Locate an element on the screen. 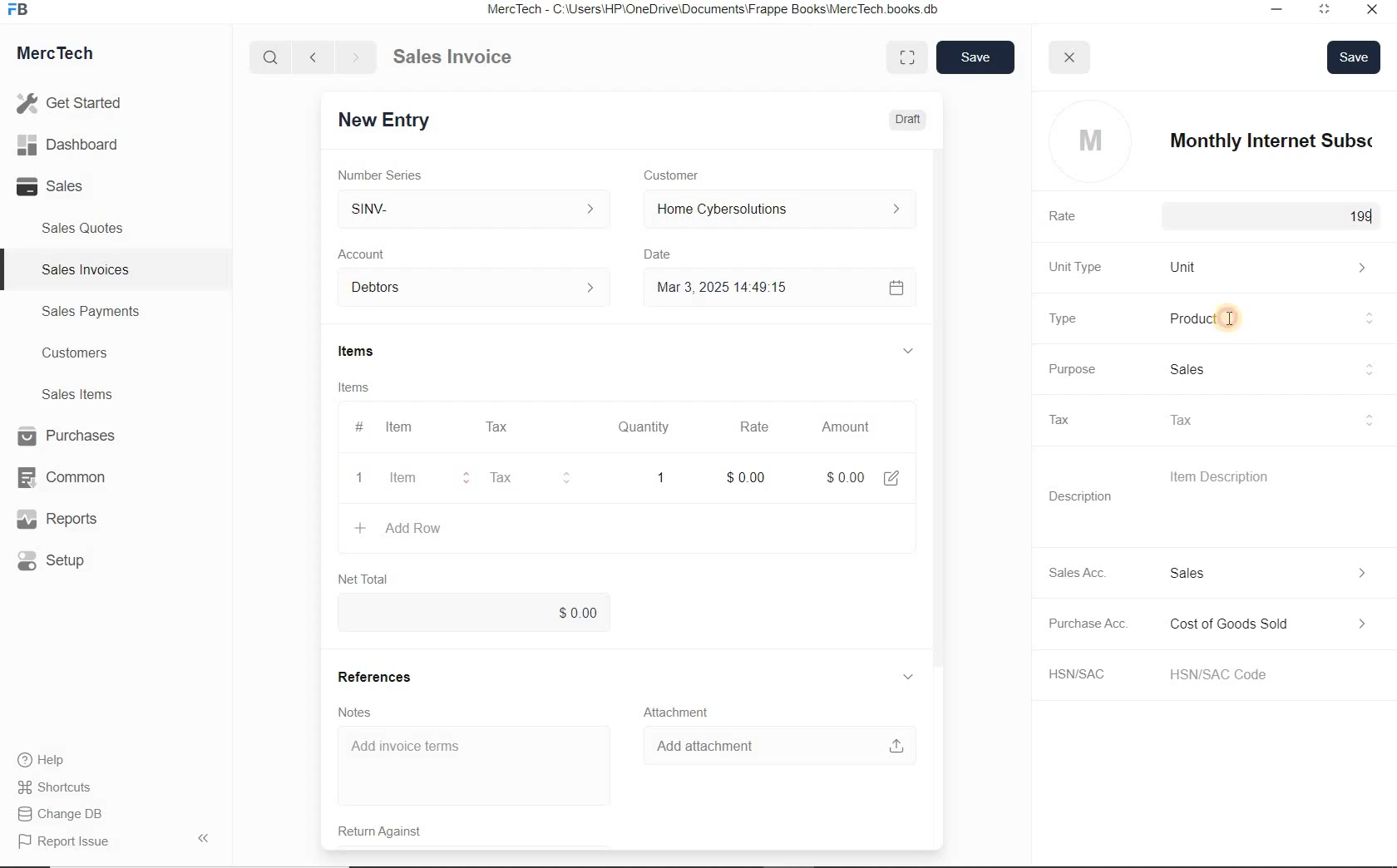  Purpose is located at coordinates (1070, 369).